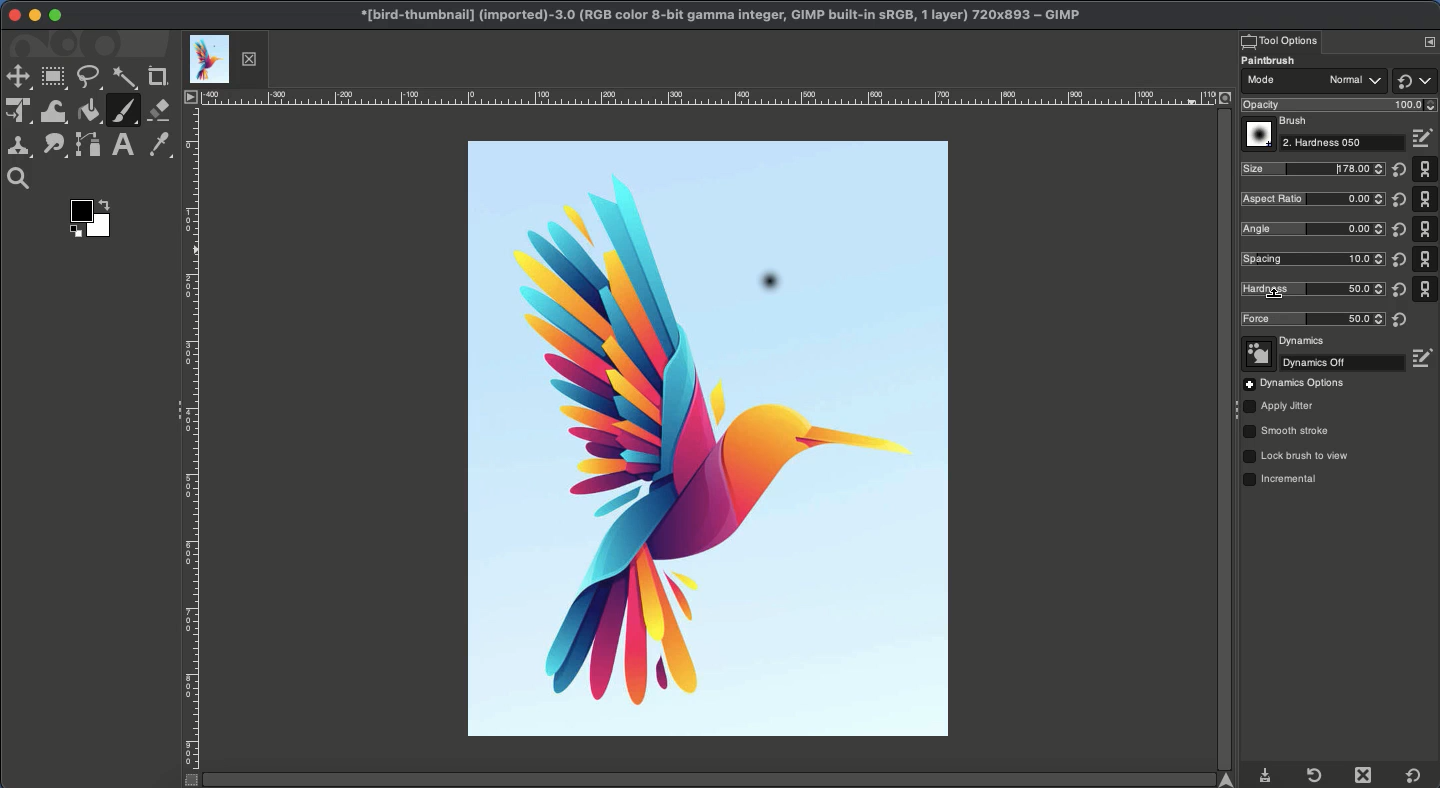 The image size is (1440, 788). I want to click on Refresh, so click(1313, 775).